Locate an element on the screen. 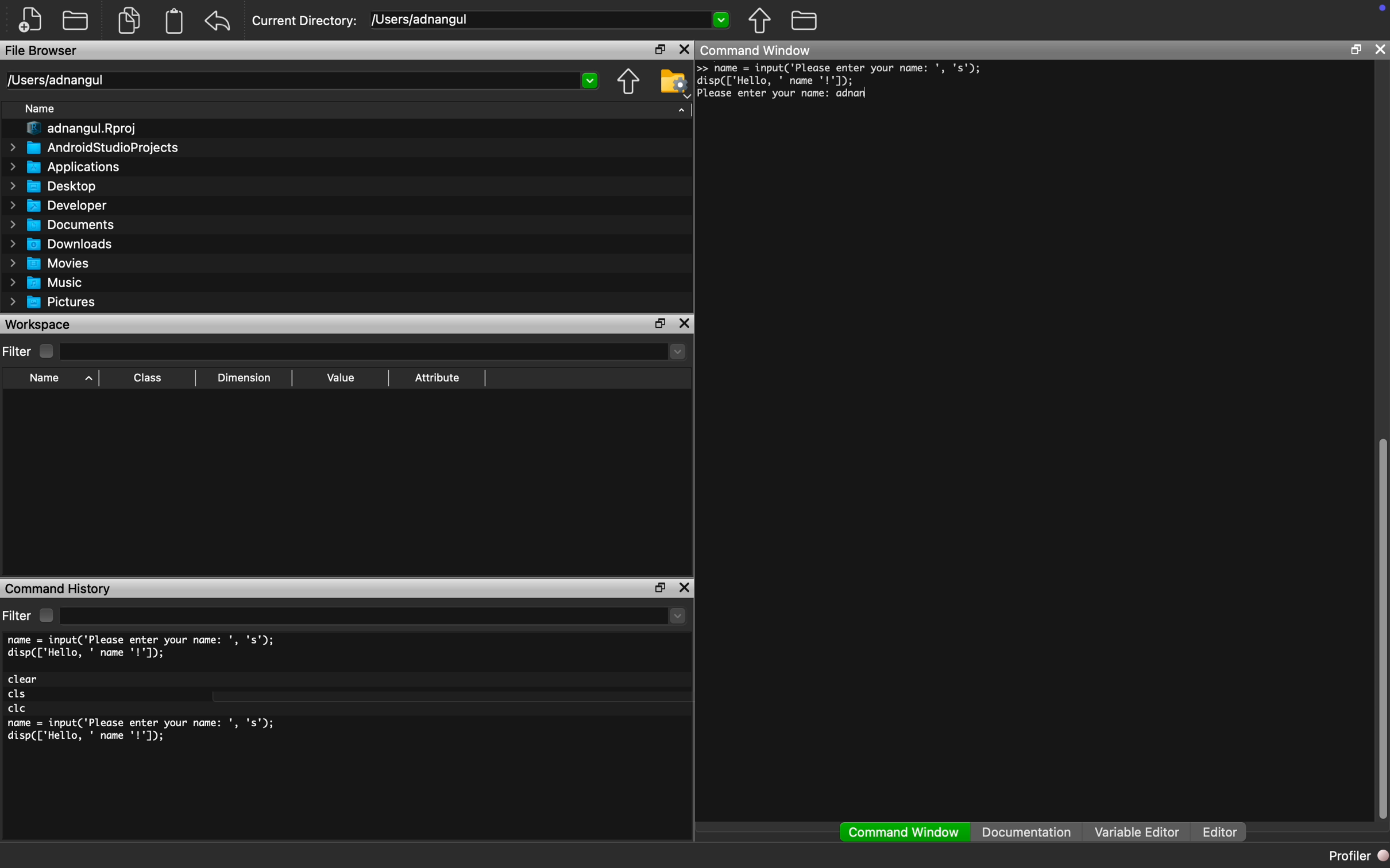 The height and width of the screenshot is (868, 1390). maximize is located at coordinates (660, 323).